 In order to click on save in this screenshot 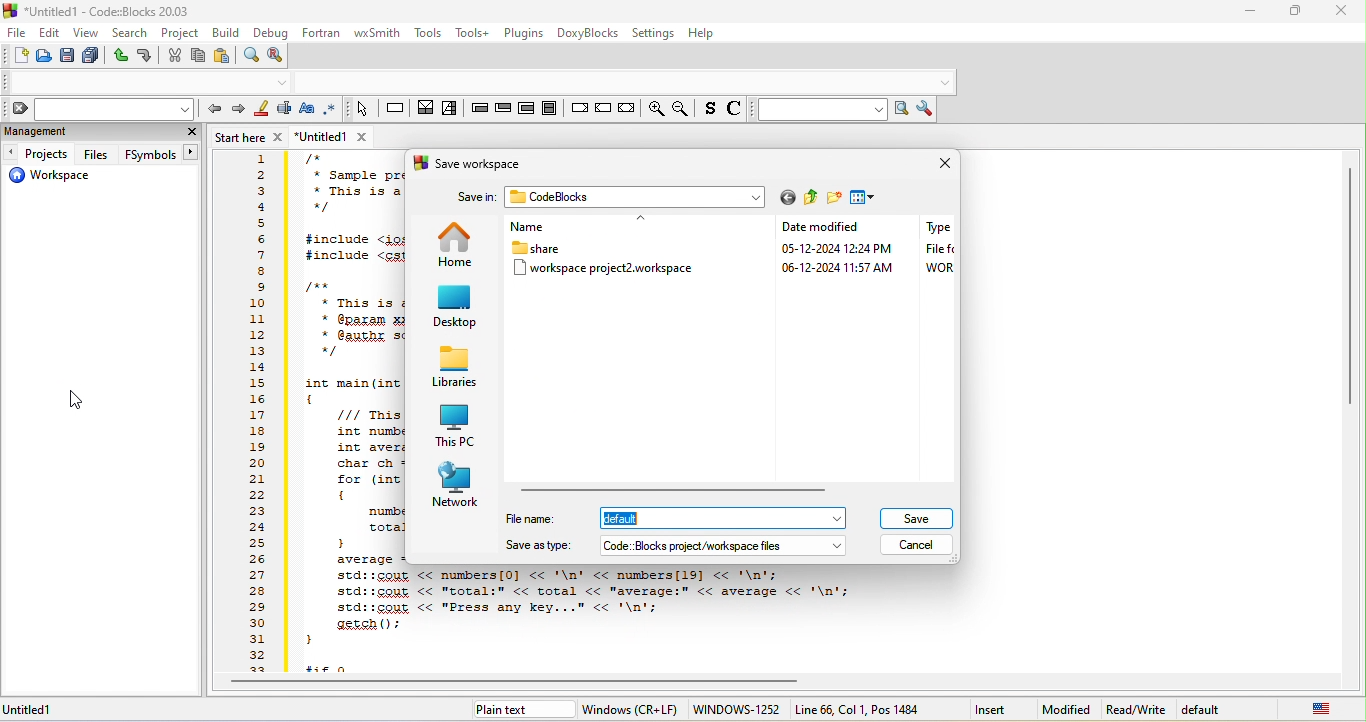, I will do `click(66, 57)`.